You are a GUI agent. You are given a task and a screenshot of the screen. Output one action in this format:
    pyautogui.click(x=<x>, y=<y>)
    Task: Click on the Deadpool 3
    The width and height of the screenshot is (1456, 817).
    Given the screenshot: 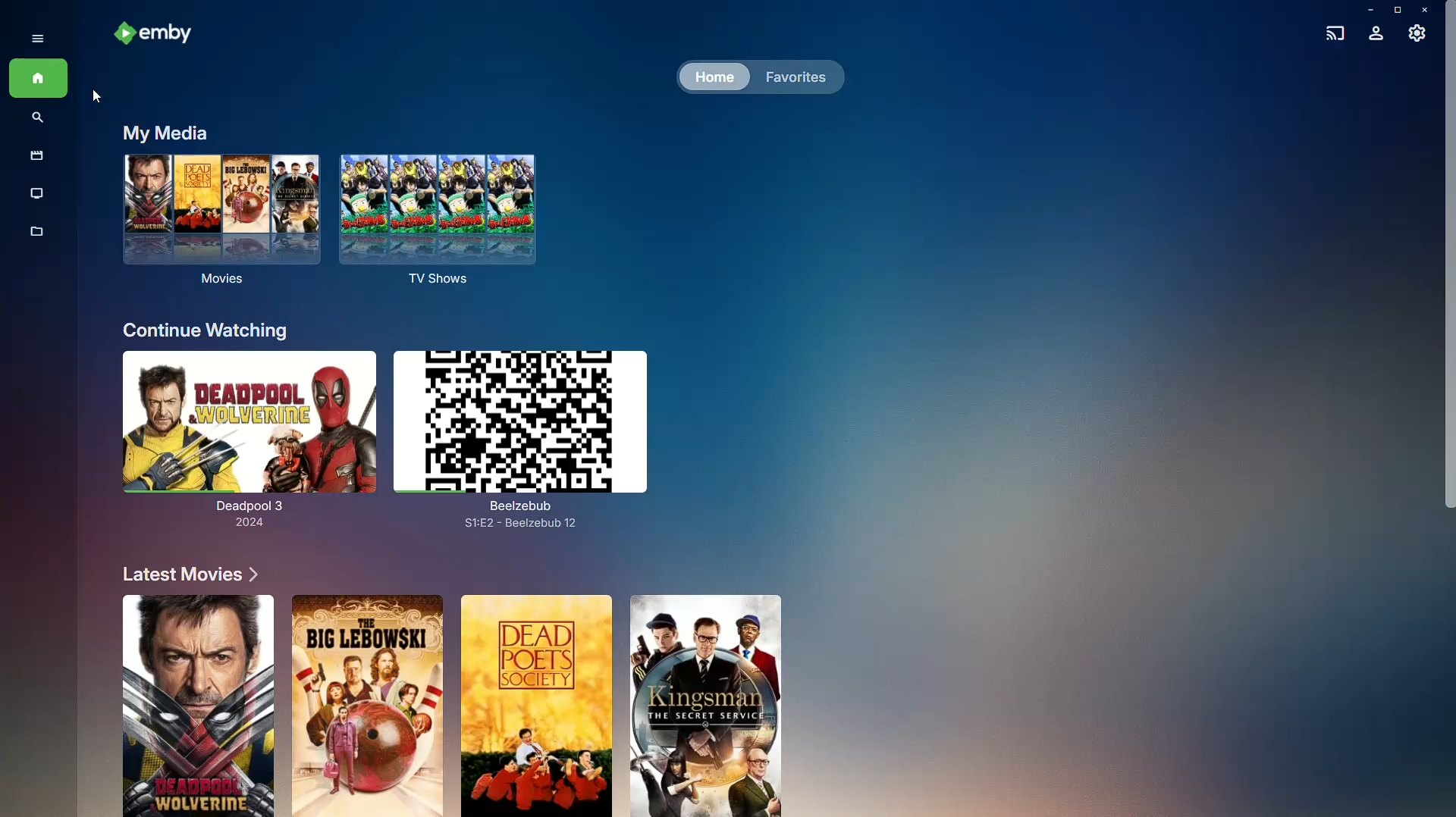 What is the action you would take?
    pyautogui.click(x=241, y=443)
    